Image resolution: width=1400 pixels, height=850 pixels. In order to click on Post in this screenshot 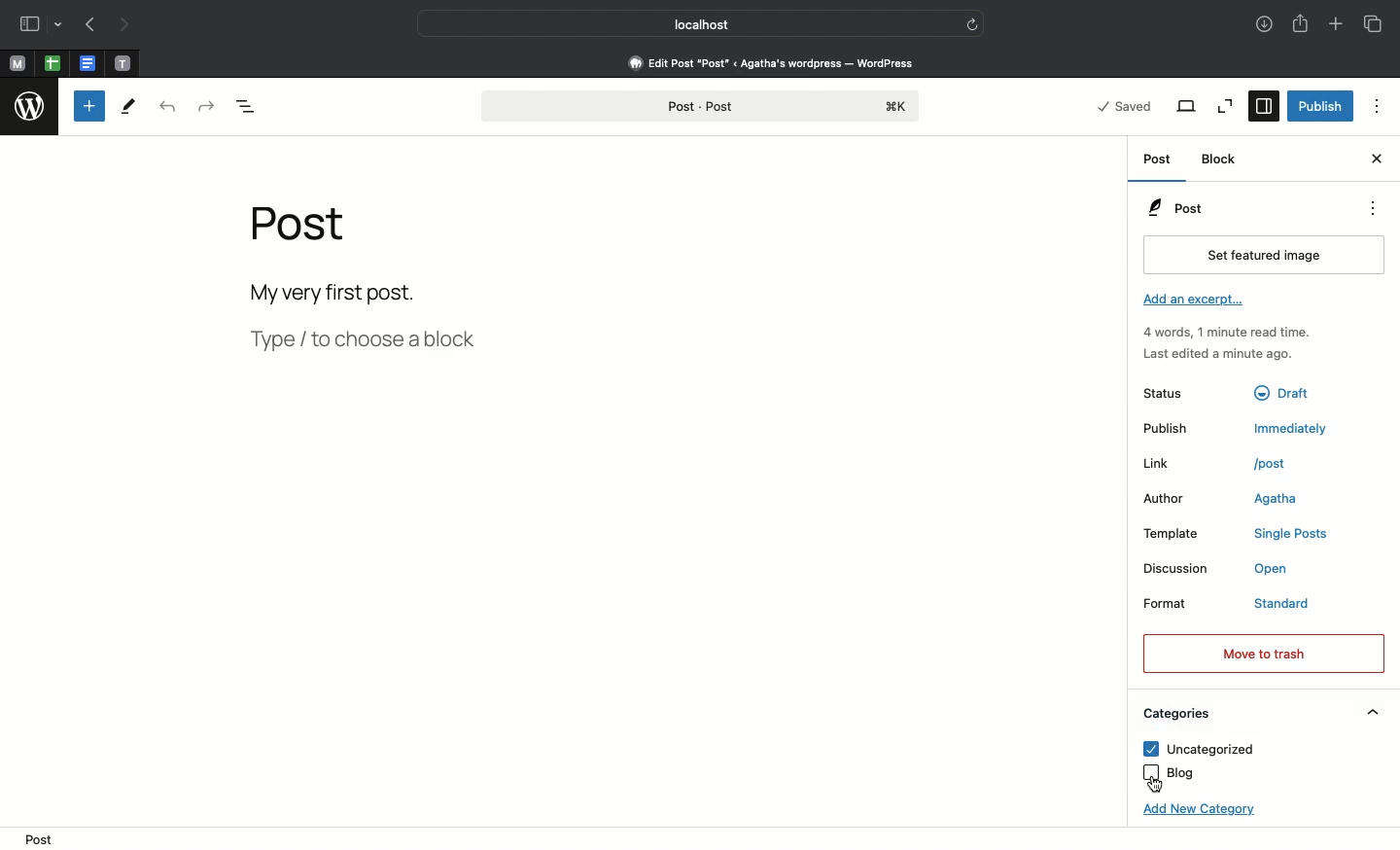, I will do `click(44, 838)`.